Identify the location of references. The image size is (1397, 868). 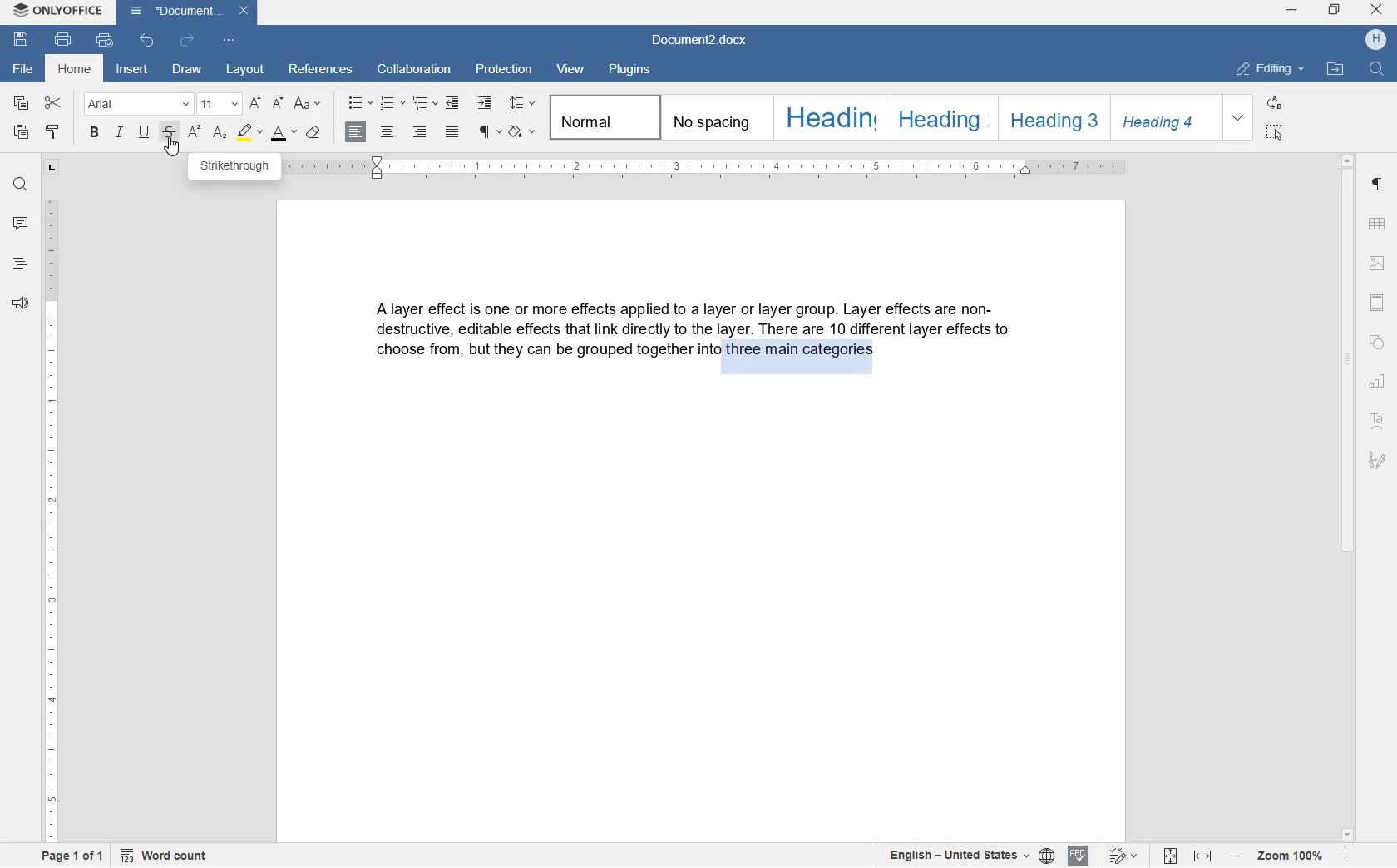
(323, 71).